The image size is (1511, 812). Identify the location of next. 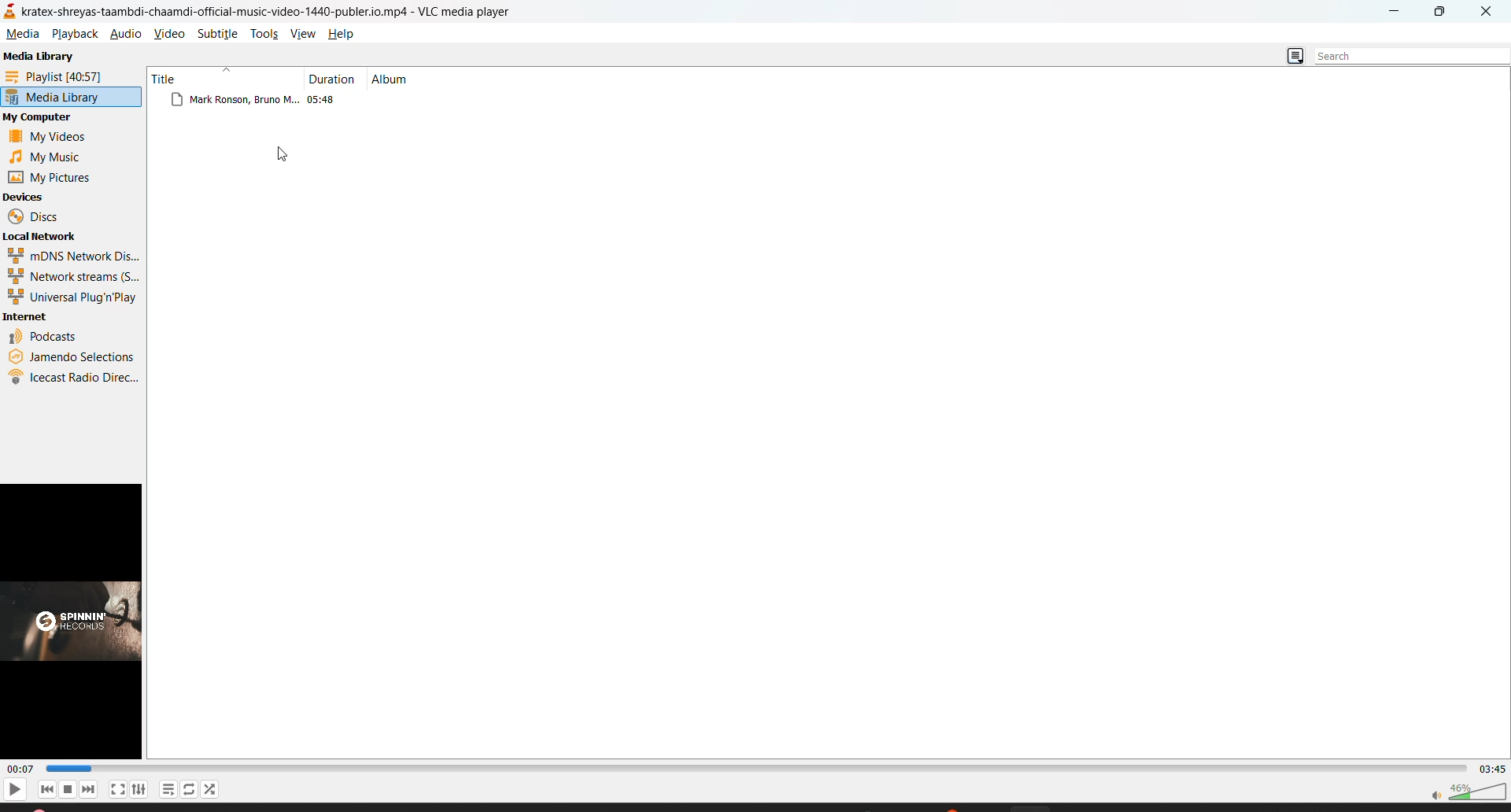
(89, 788).